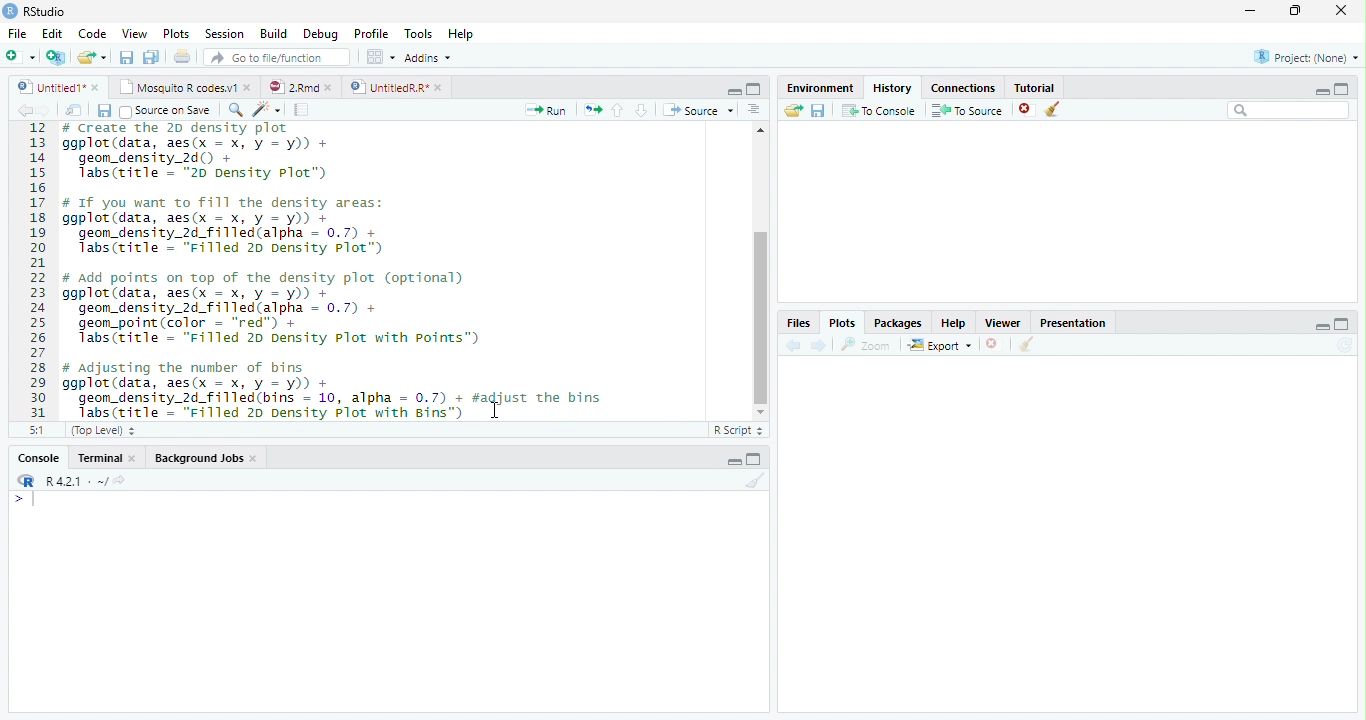  I want to click on maximize, so click(1297, 10).